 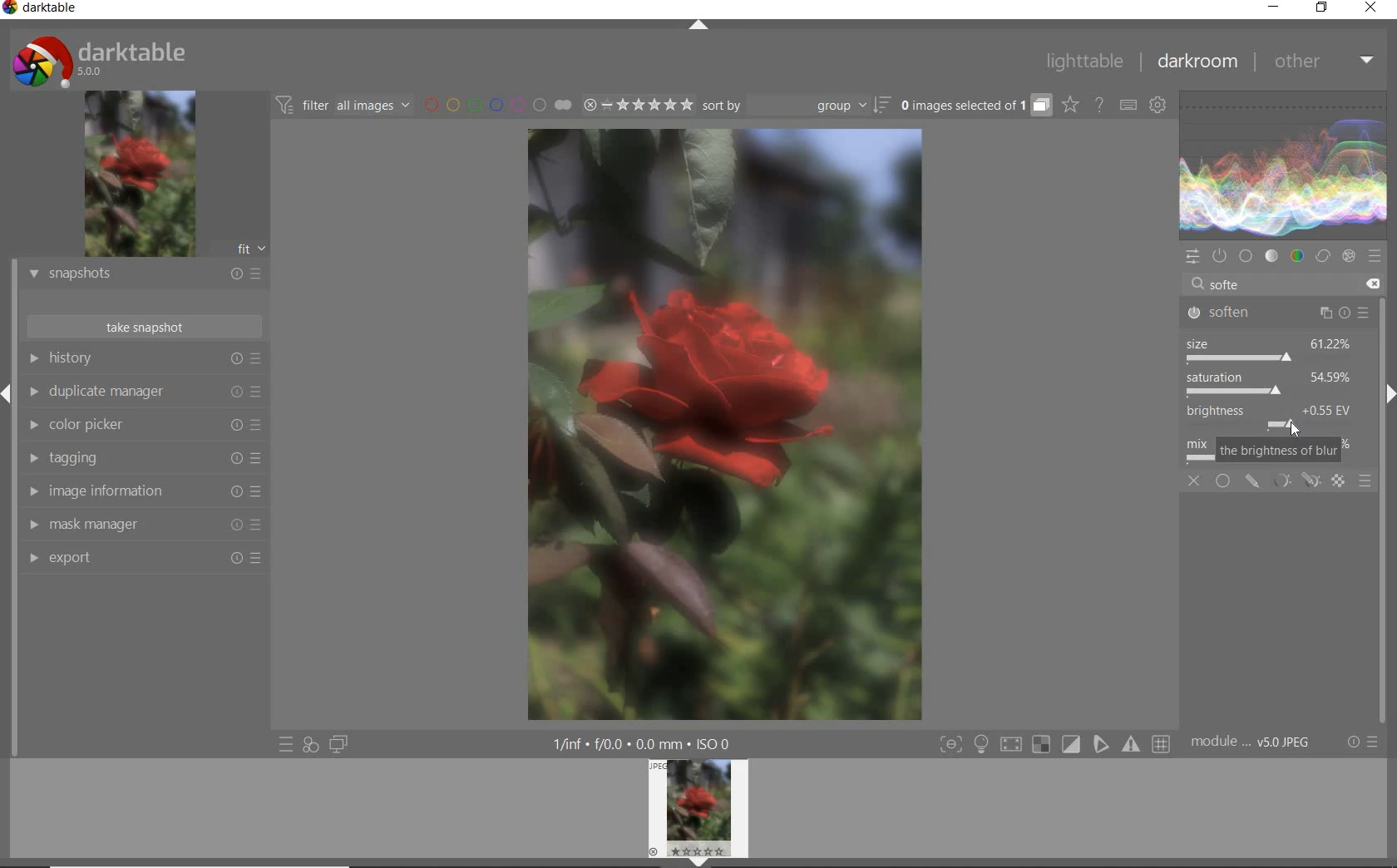 What do you see at coordinates (698, 813) in the screenshot?
I see `image preview` at bounding box center [698, 813].